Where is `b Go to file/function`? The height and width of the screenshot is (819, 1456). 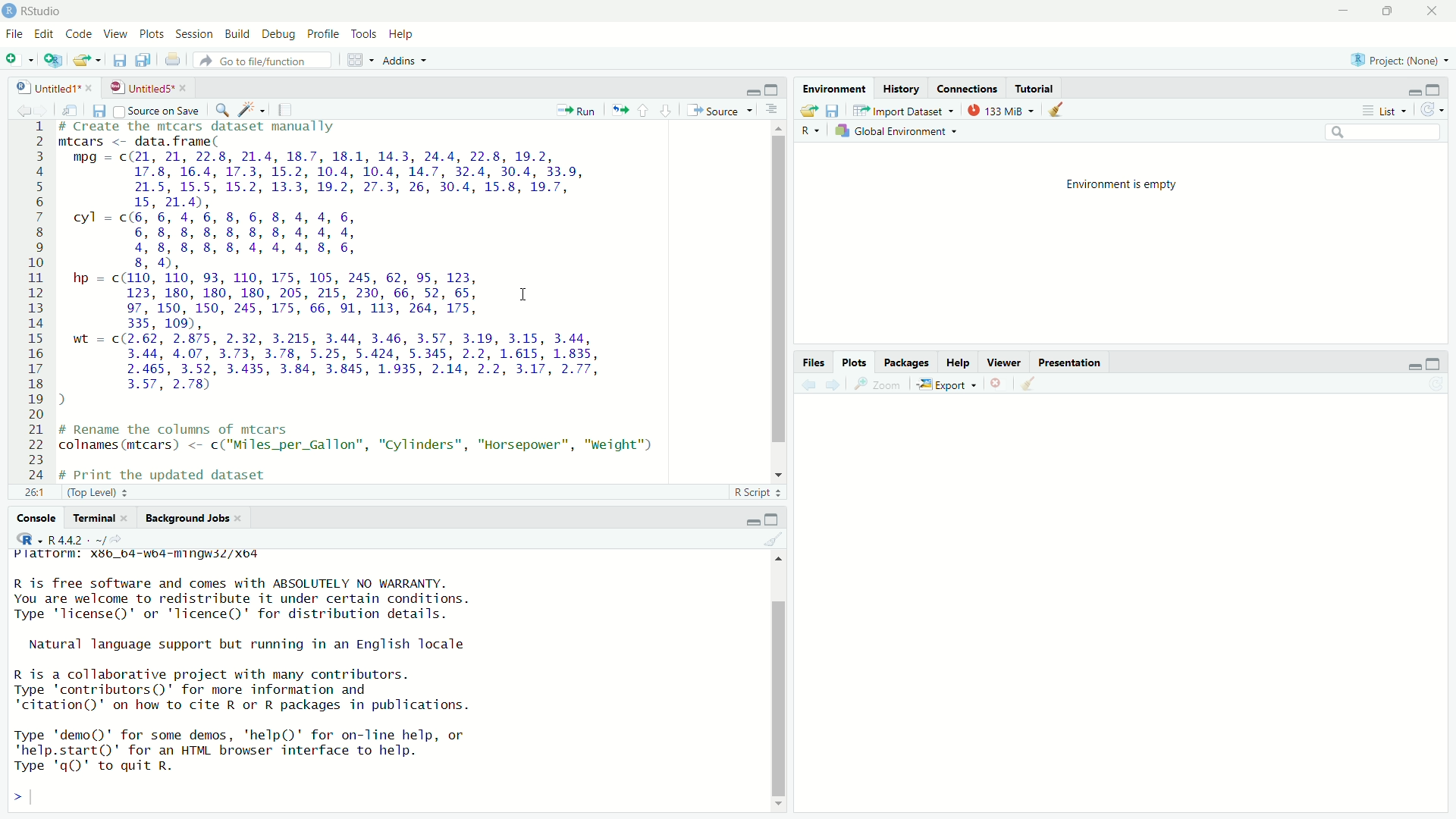 b Go to file/function is located at coordinates (262, 61).